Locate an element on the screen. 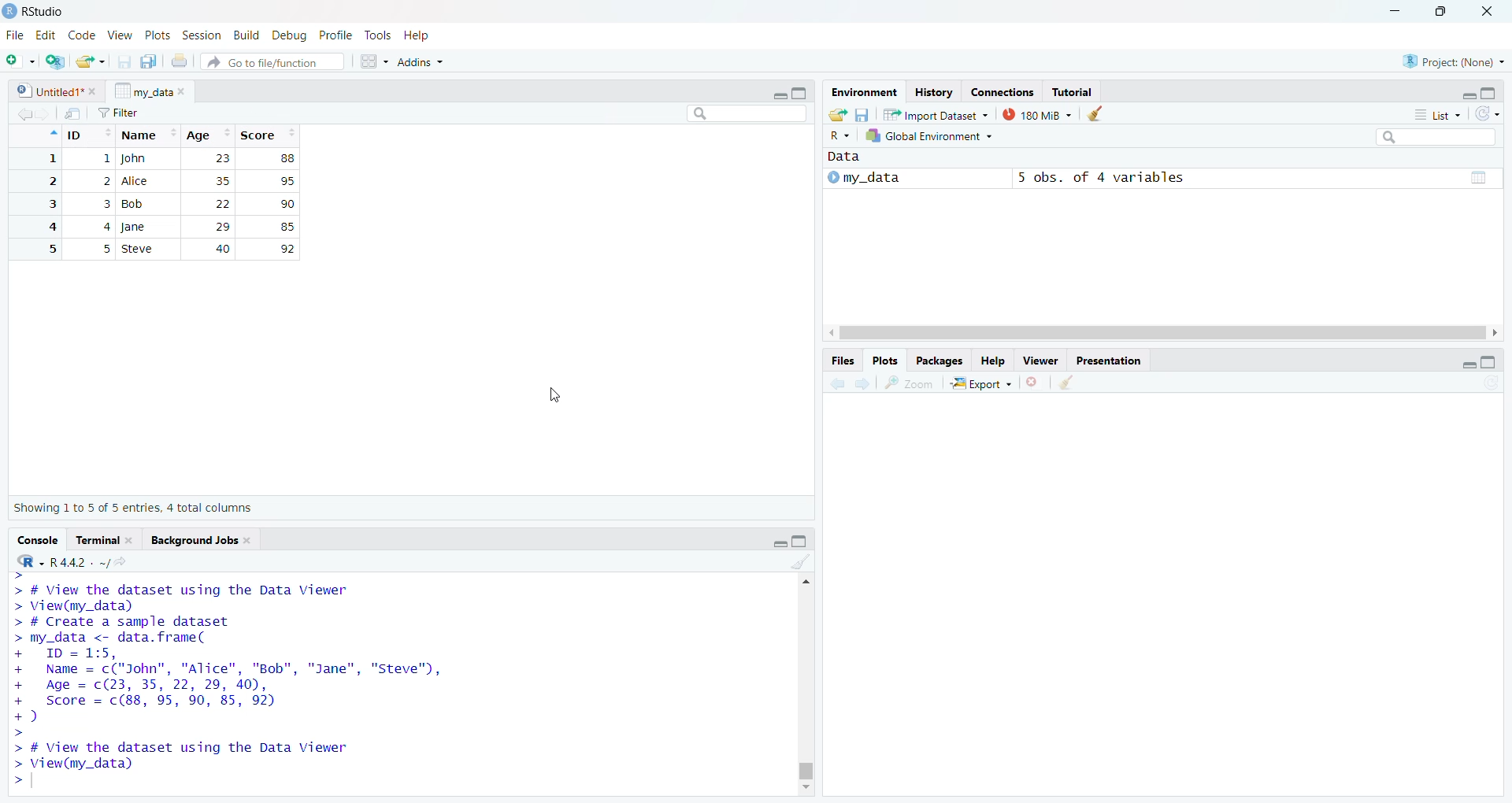 This screenshot has width=1512, height=803. List of the objects in the Environment is located at coordinates (1488, 115).